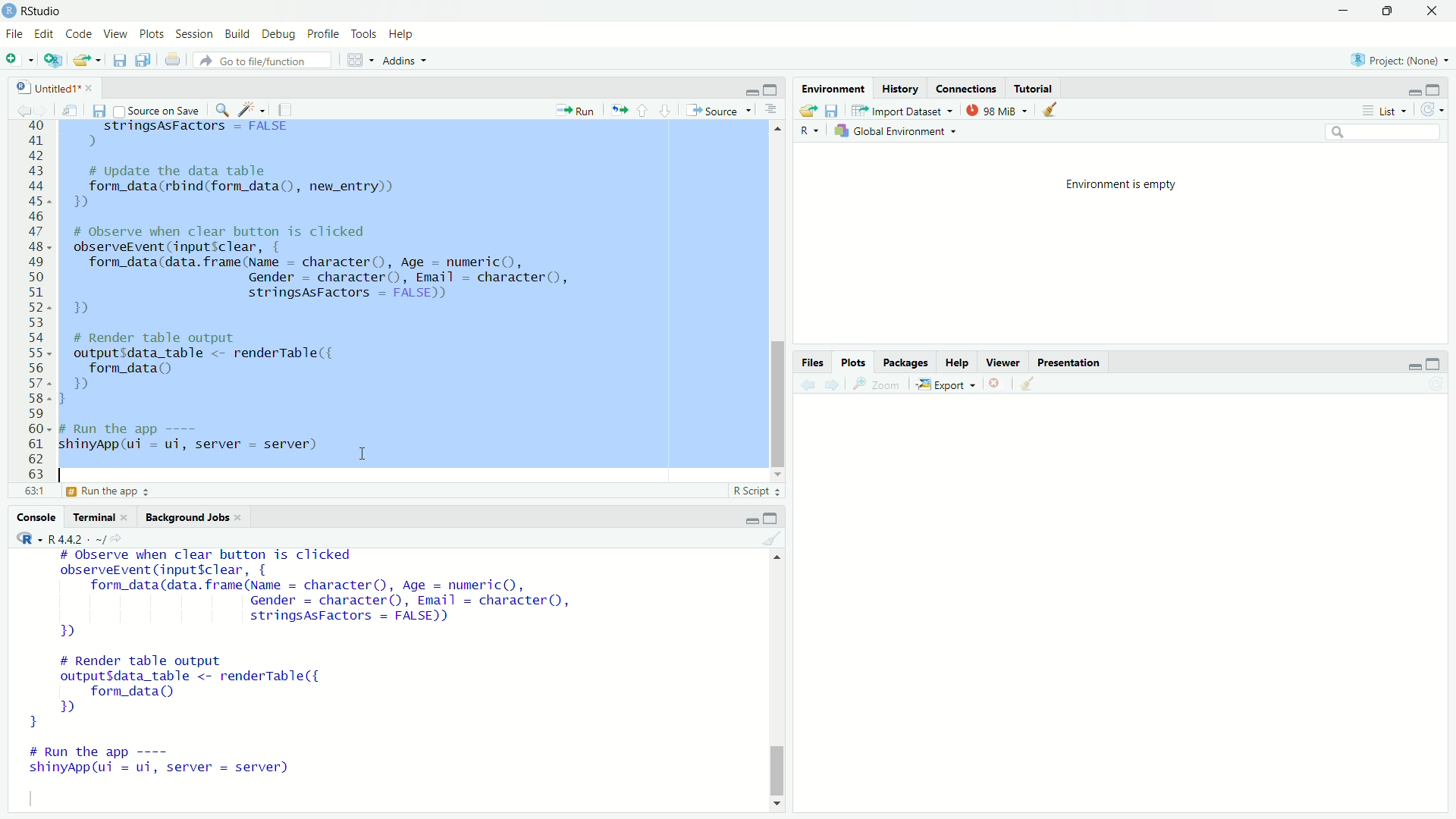 This screenshot has height=819, width=1456. I want to click on console, so click(34, 517).